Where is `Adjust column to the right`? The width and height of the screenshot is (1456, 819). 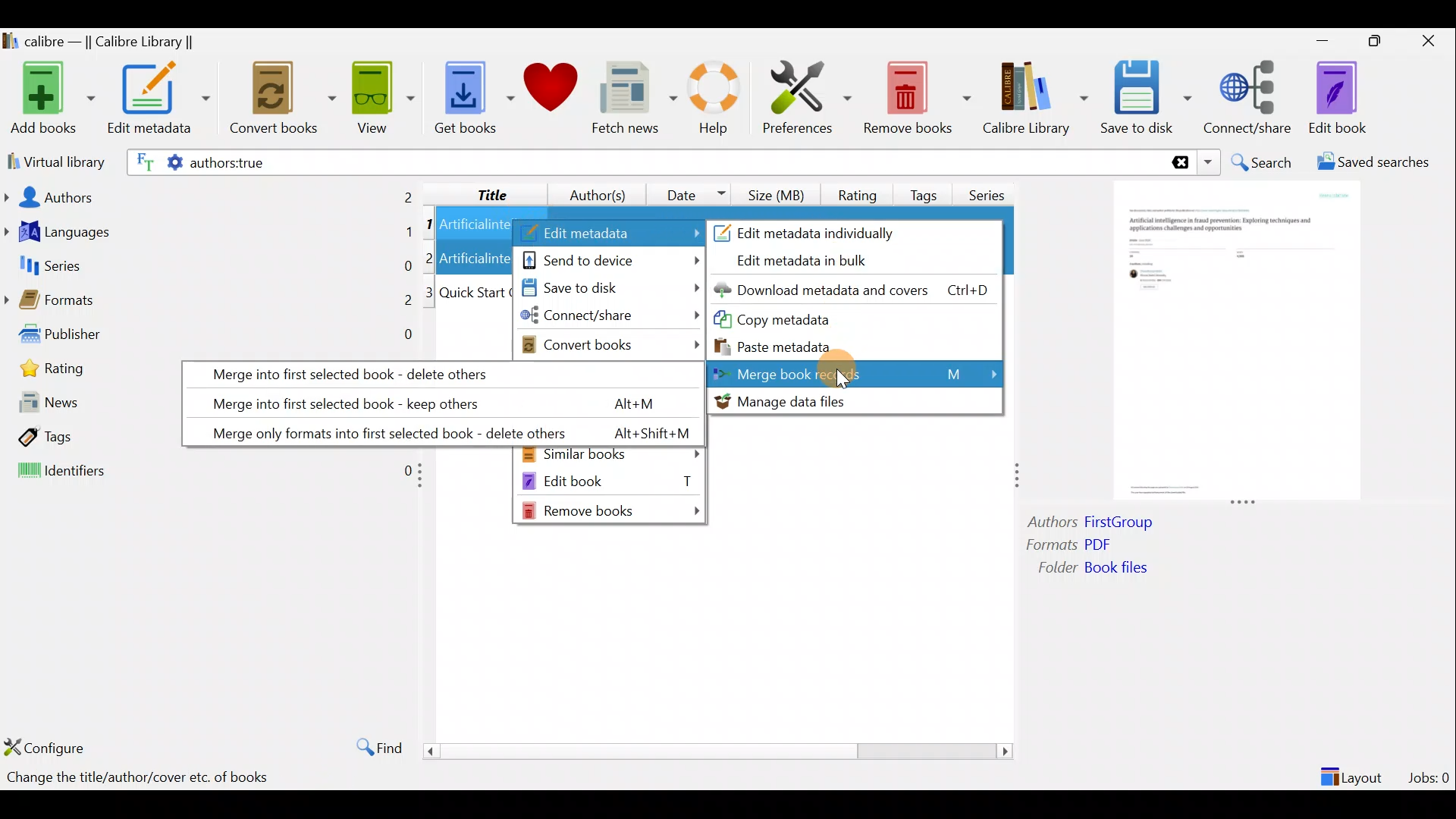 Adjust column to the right is located at coordinates (1018, 477).